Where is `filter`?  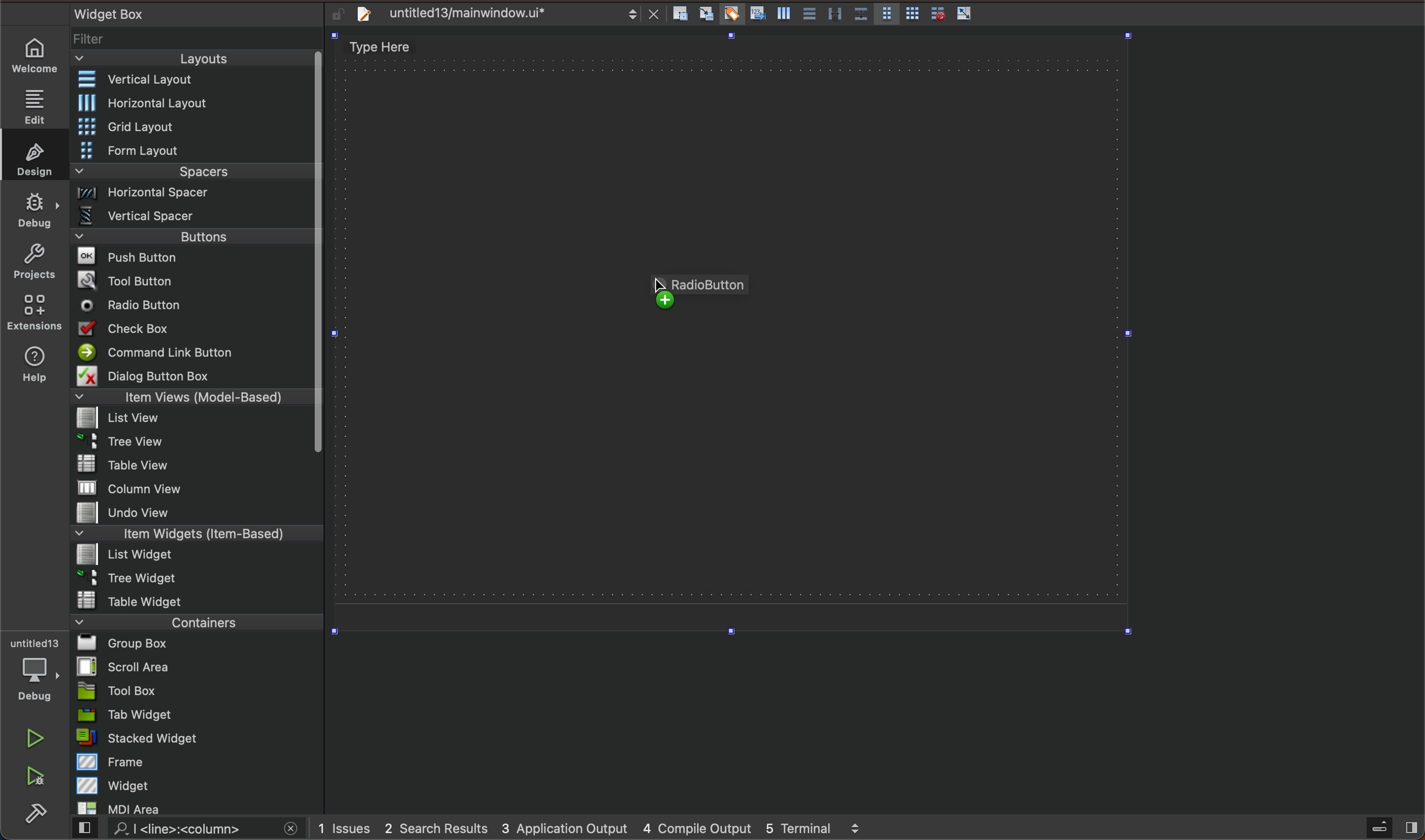
filter is located at coordinates (198, 43).